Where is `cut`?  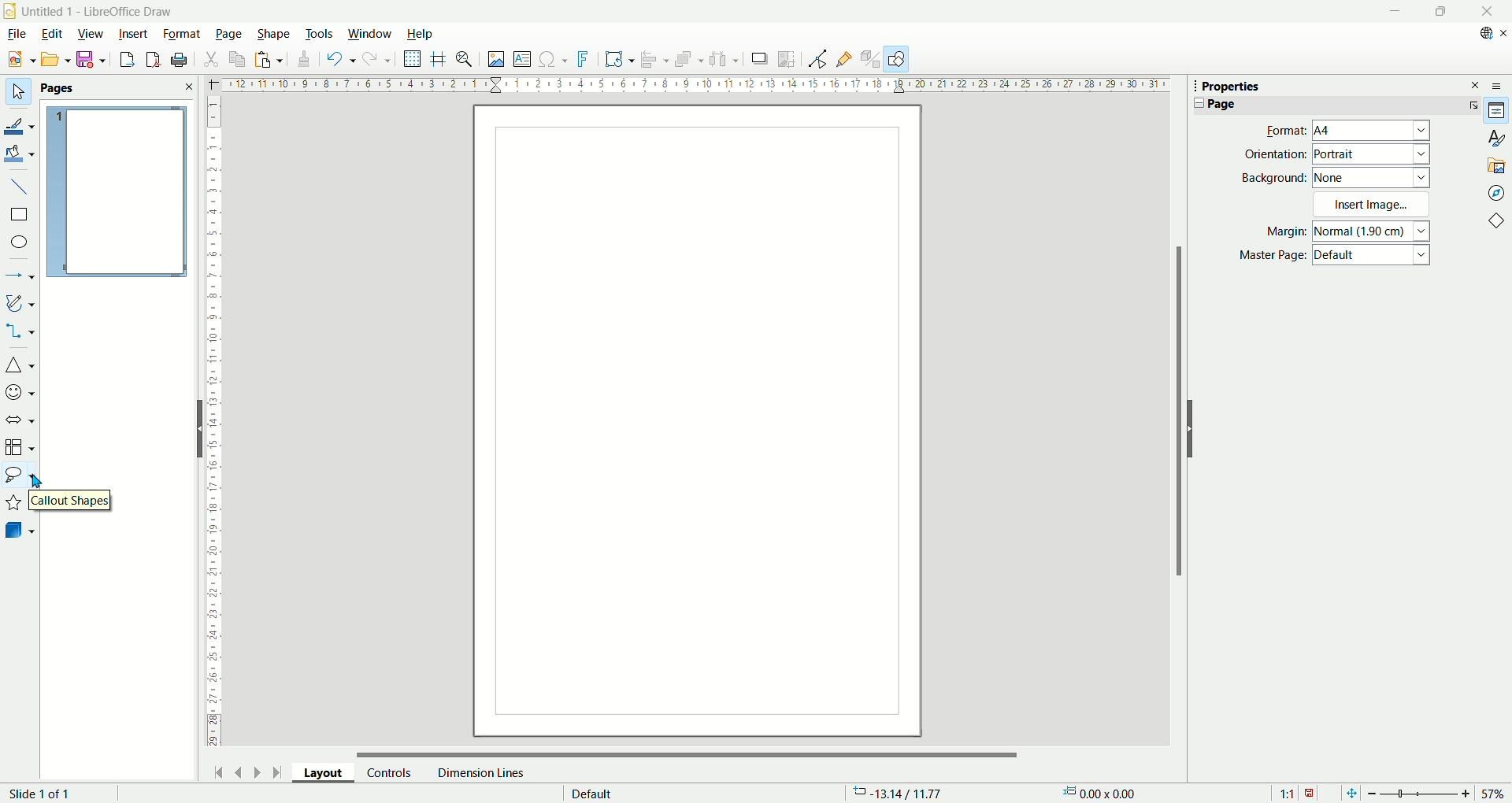
cut is located at coordinates (213, 57).